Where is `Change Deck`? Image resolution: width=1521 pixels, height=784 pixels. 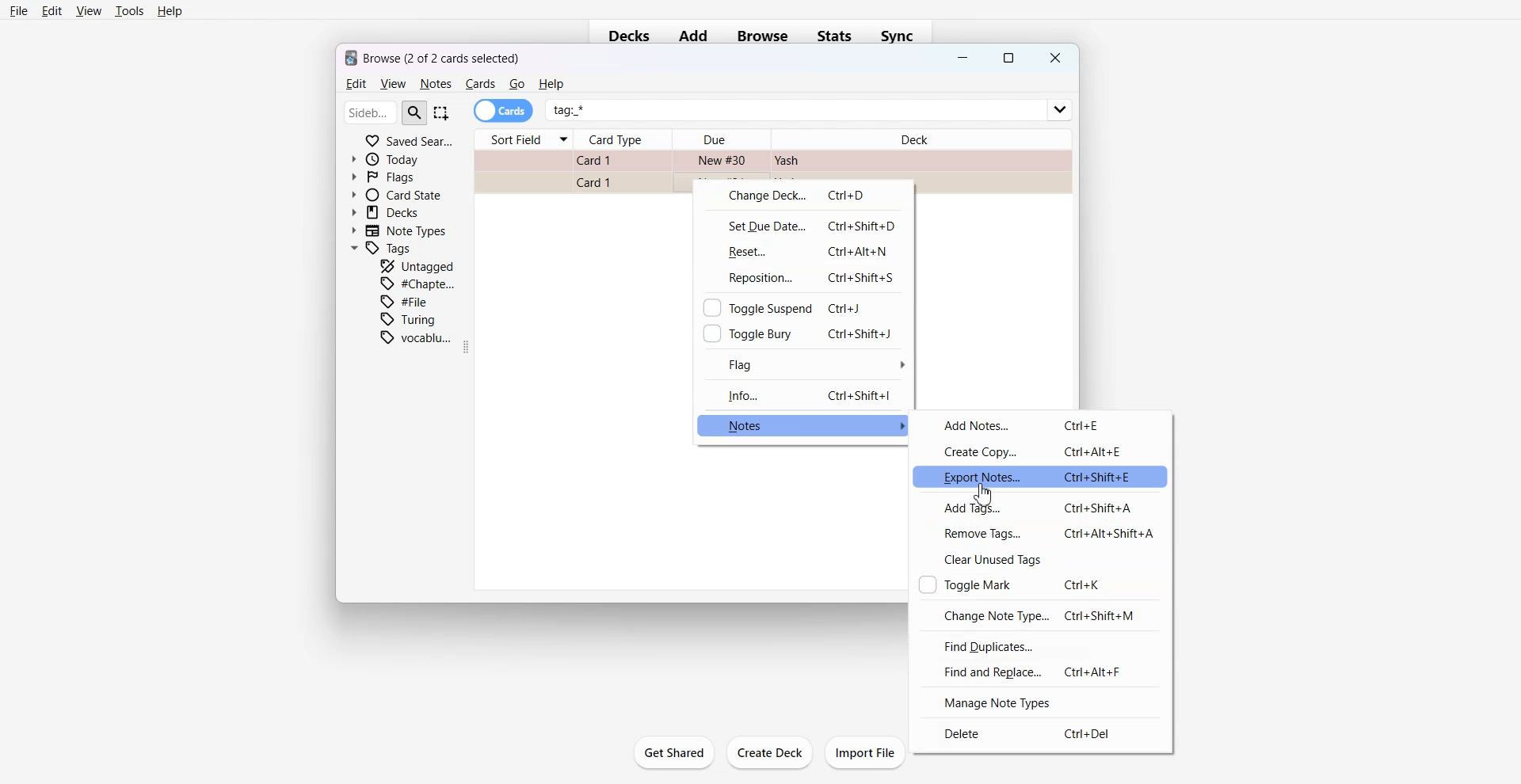 Change Deck is located at coordinates (802, 196).